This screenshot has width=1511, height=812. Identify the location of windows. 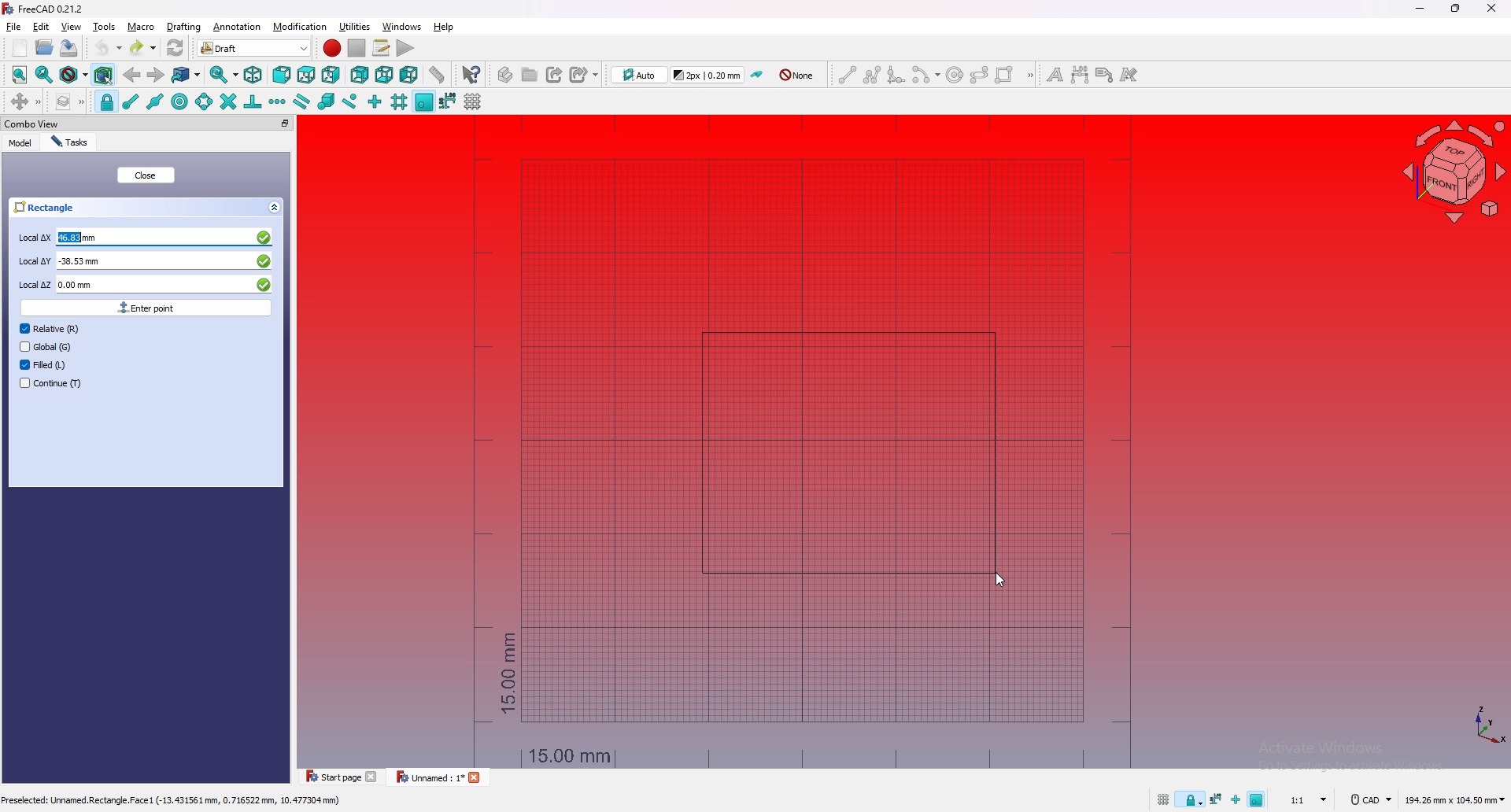
(401, 27).